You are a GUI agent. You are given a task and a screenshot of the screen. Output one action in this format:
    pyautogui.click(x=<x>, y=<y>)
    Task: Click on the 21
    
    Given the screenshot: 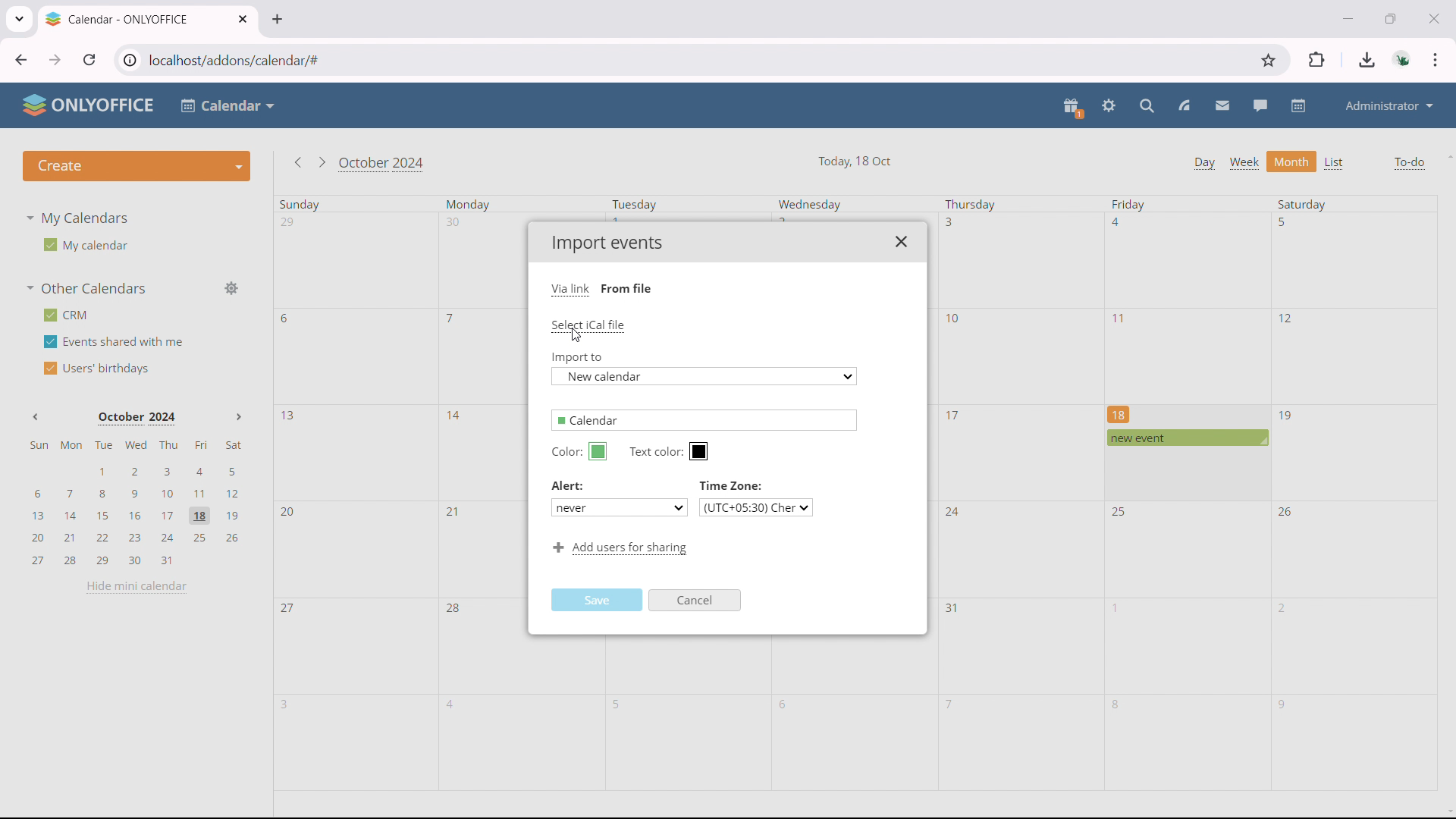 What is the action you would take?
    pyautogui.click(x=450, y=510)
    